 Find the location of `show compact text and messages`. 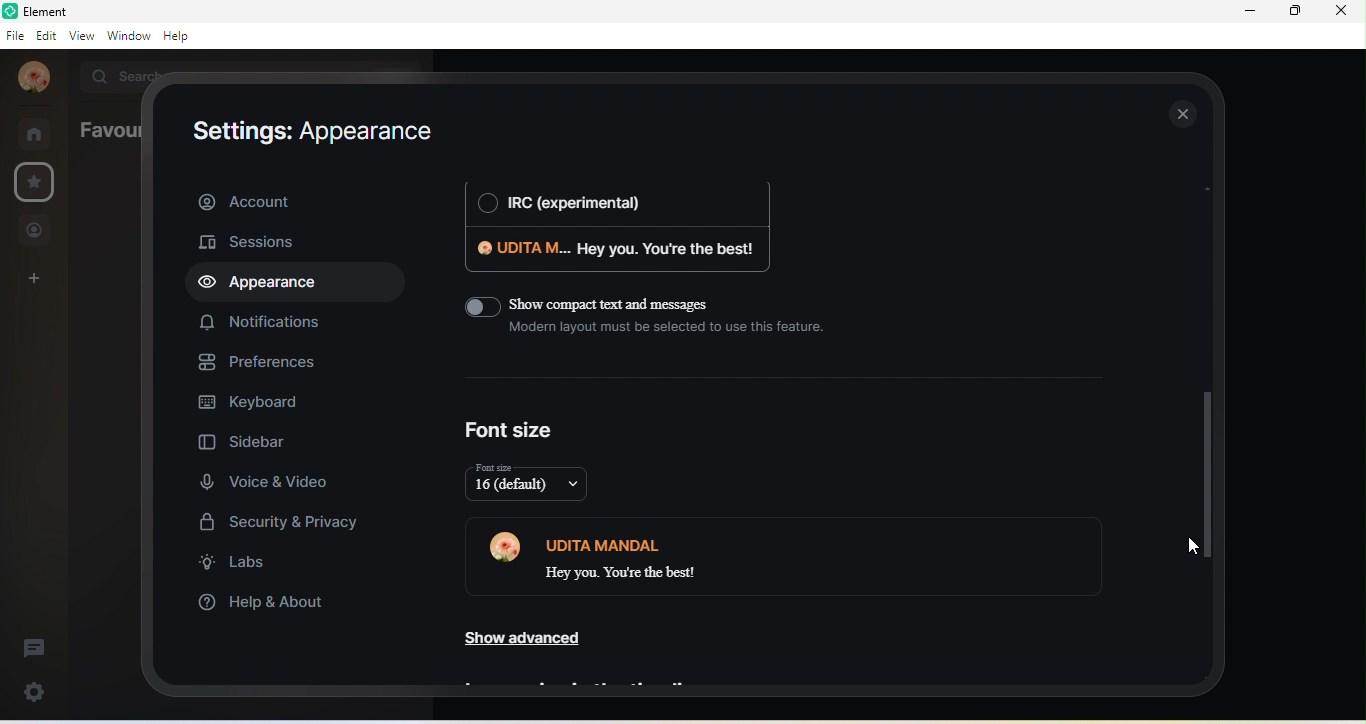

show compact text and messages is located at coordinates (654, 324).